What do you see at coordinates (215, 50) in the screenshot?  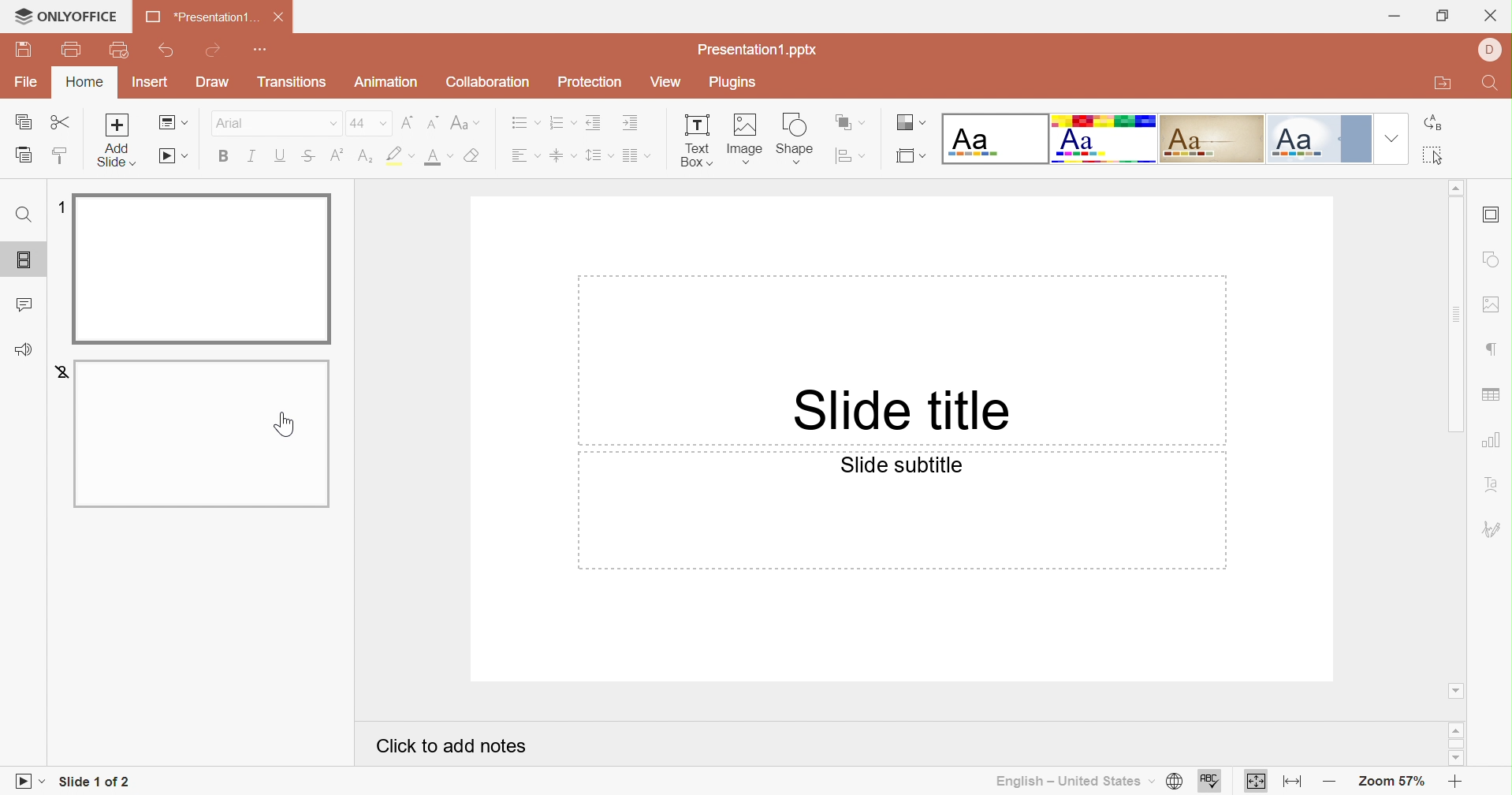 I see `Redo` at bounding box center [215, 50].